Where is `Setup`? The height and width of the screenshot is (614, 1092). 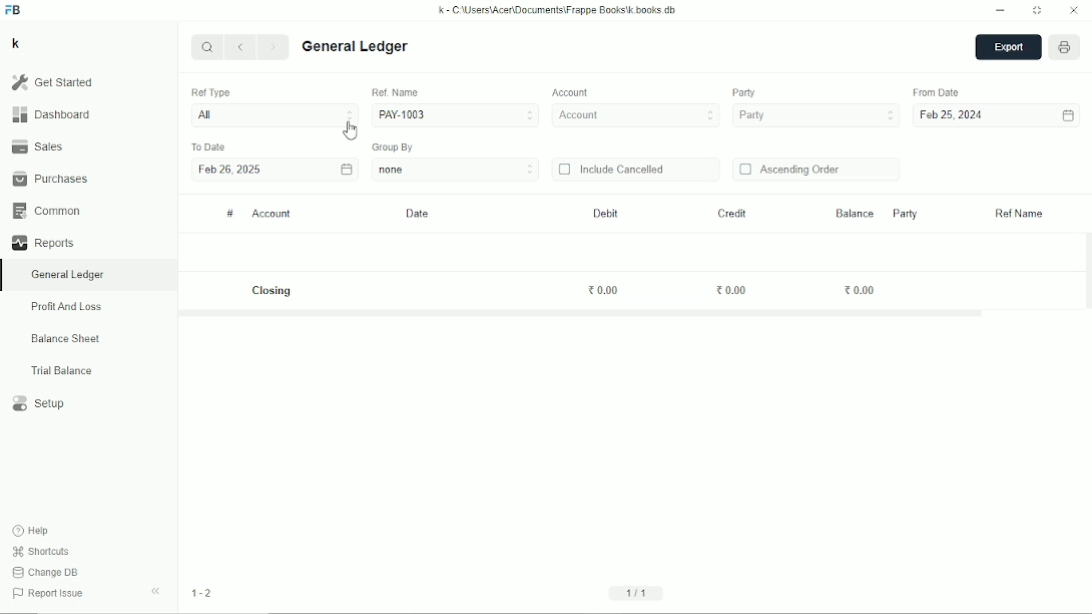
Setup is located at coordinates (40, 404).